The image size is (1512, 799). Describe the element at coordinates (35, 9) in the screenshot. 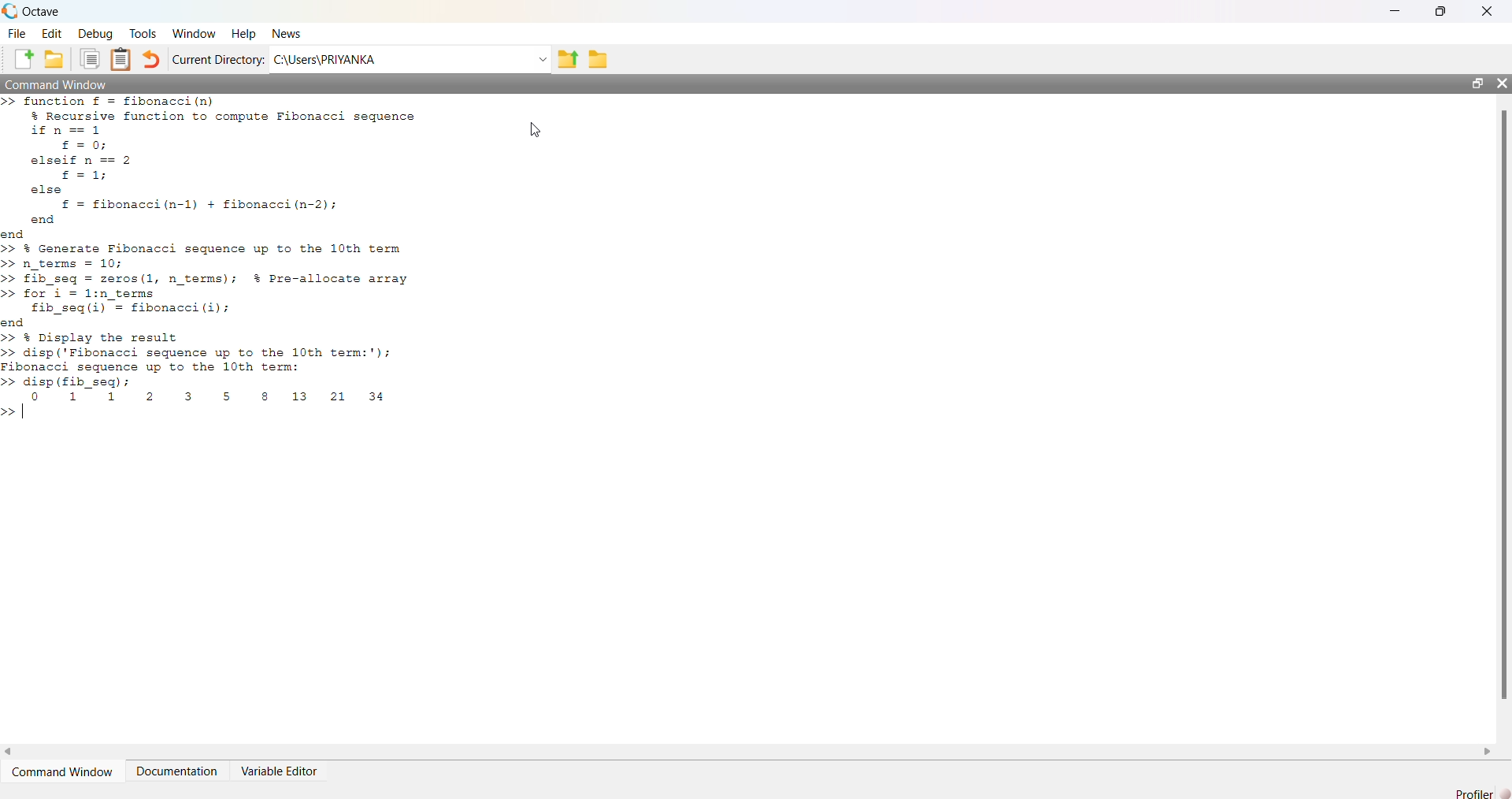

I see `, Octave` at that location.